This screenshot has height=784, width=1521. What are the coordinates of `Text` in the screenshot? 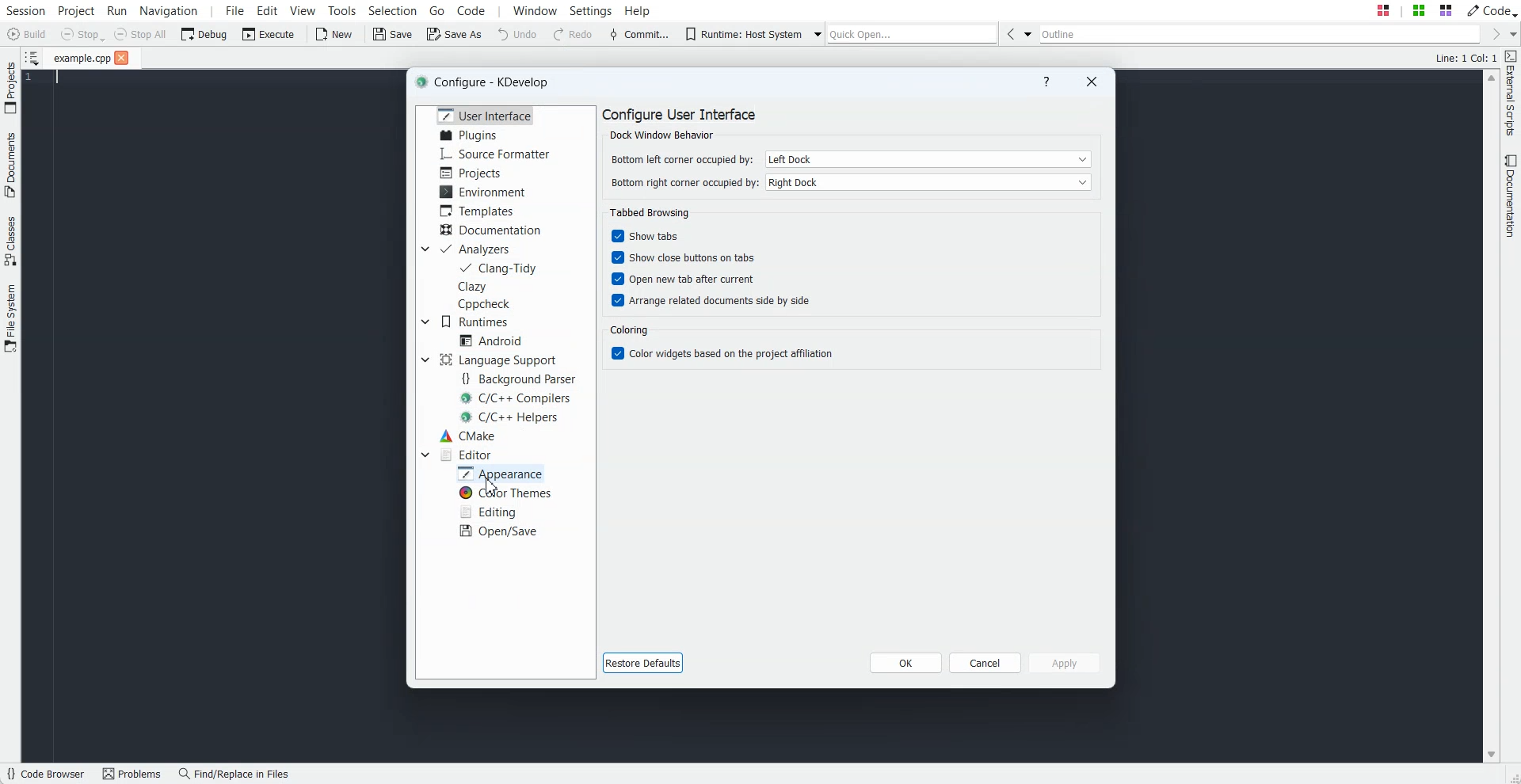 It's located at (1466, 57).